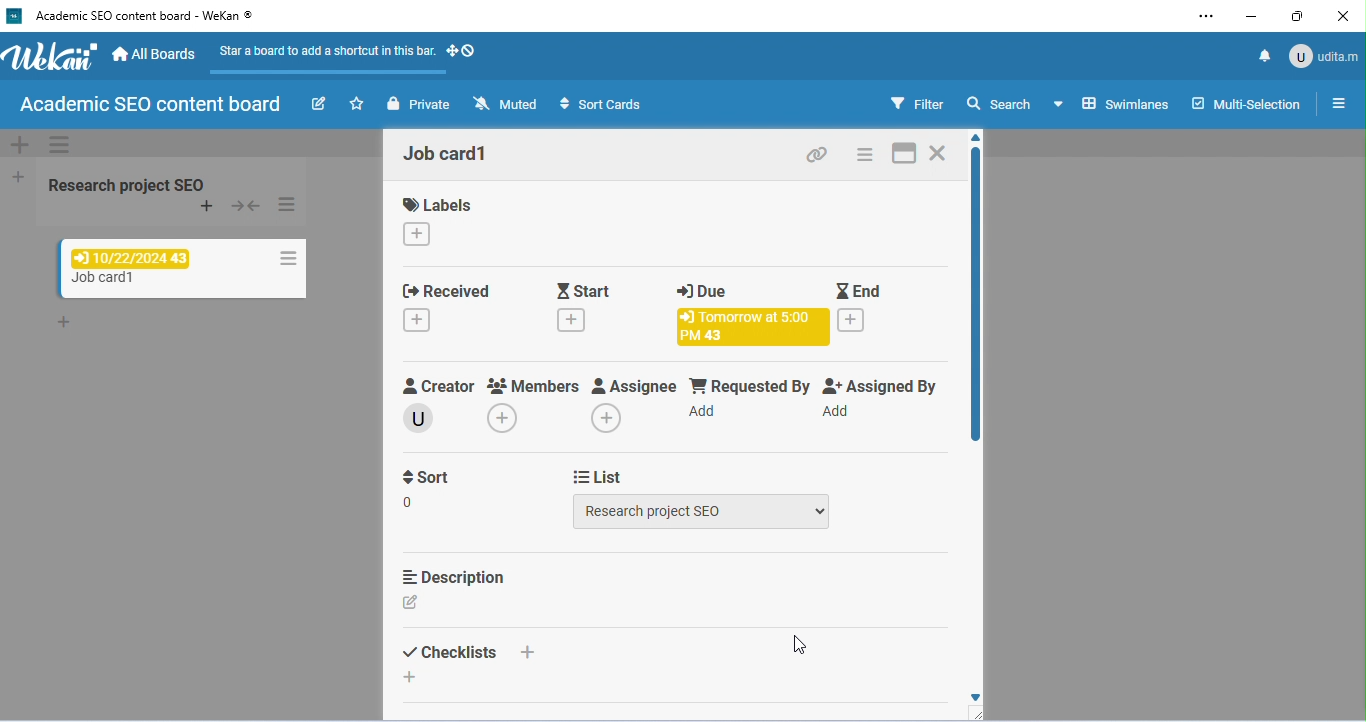 This screenshot has height=722, width=1366. Describe the element at coordinates (941, 152) in the screenshot. I see `close card` at that location.